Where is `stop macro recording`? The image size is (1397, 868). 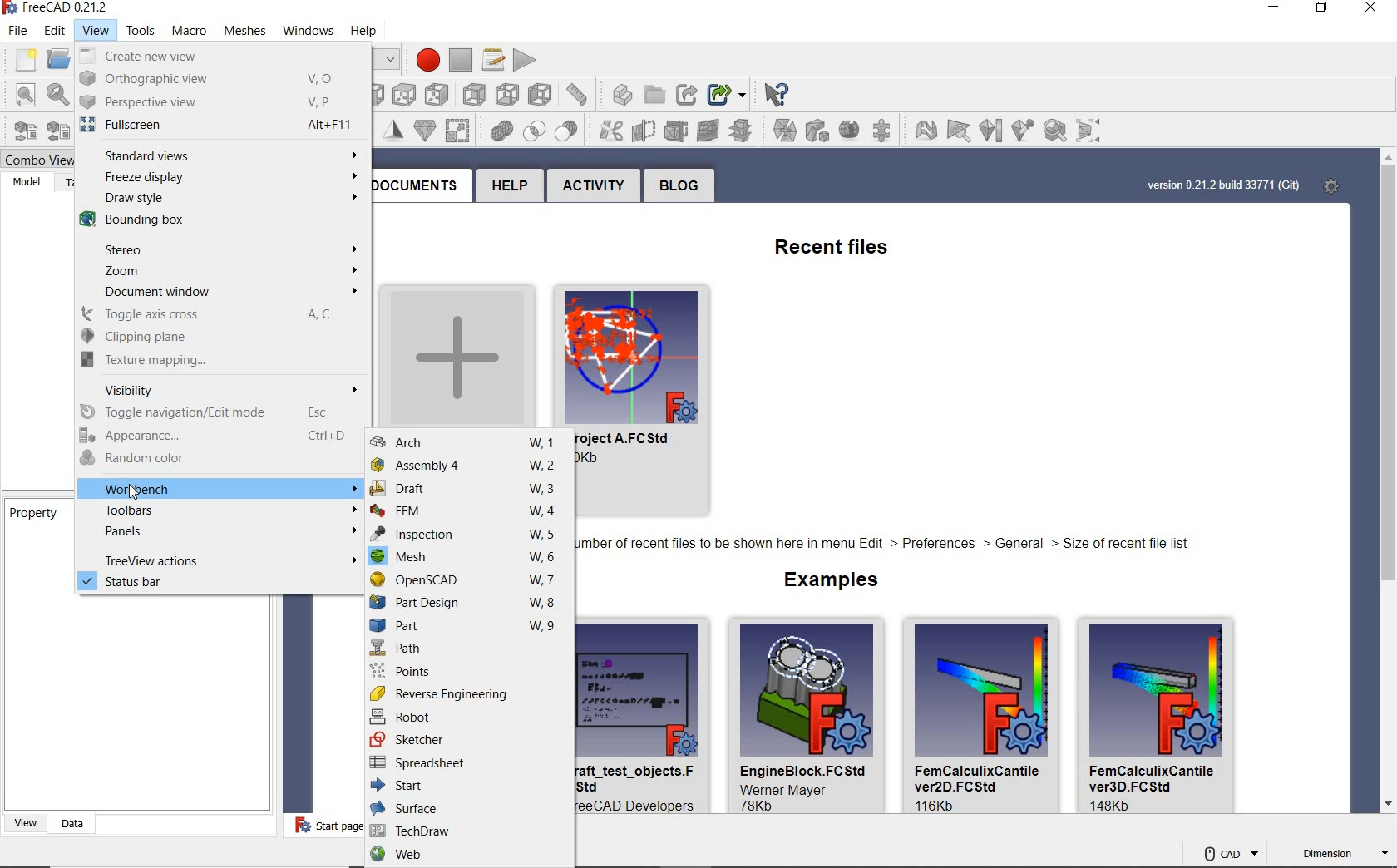
stop macro recording is located at coordinates (462, 55).